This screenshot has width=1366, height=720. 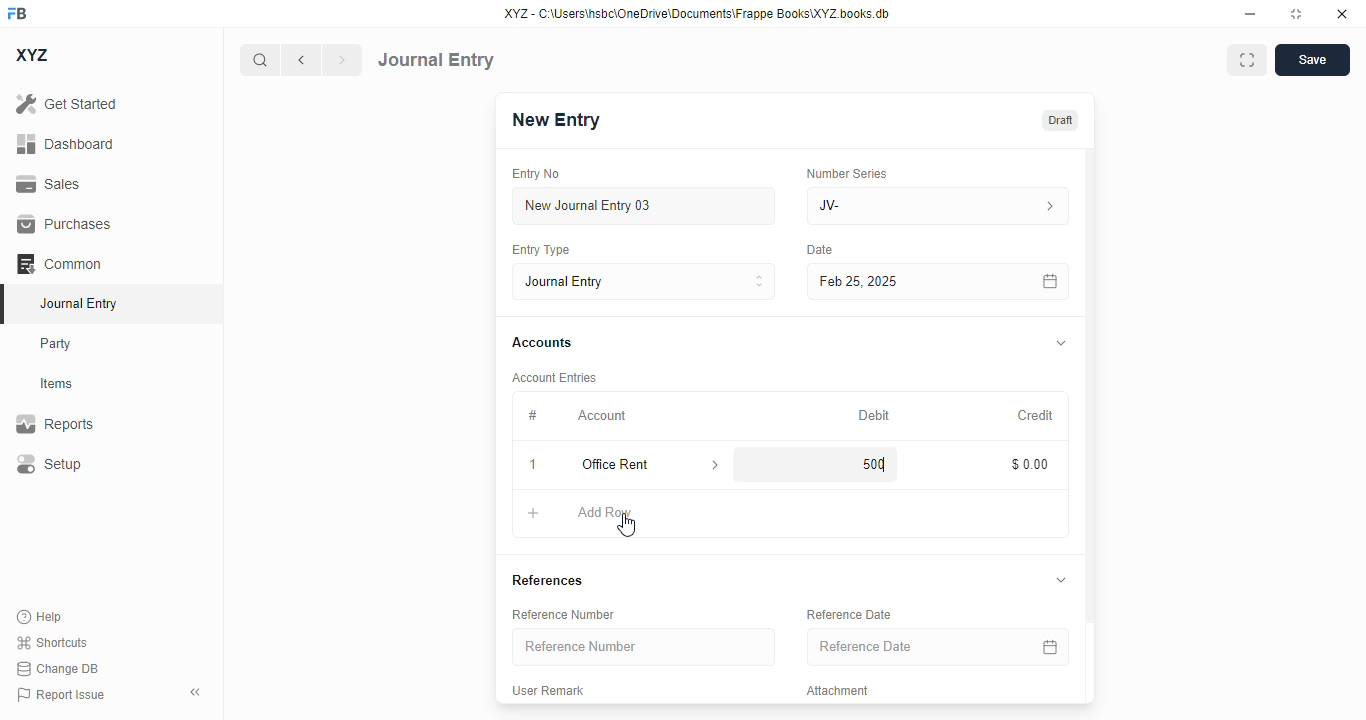 What do you see at coordinates (66, 144) in the screenshot?
I see `dashboard` at bounding box center [66, 144].